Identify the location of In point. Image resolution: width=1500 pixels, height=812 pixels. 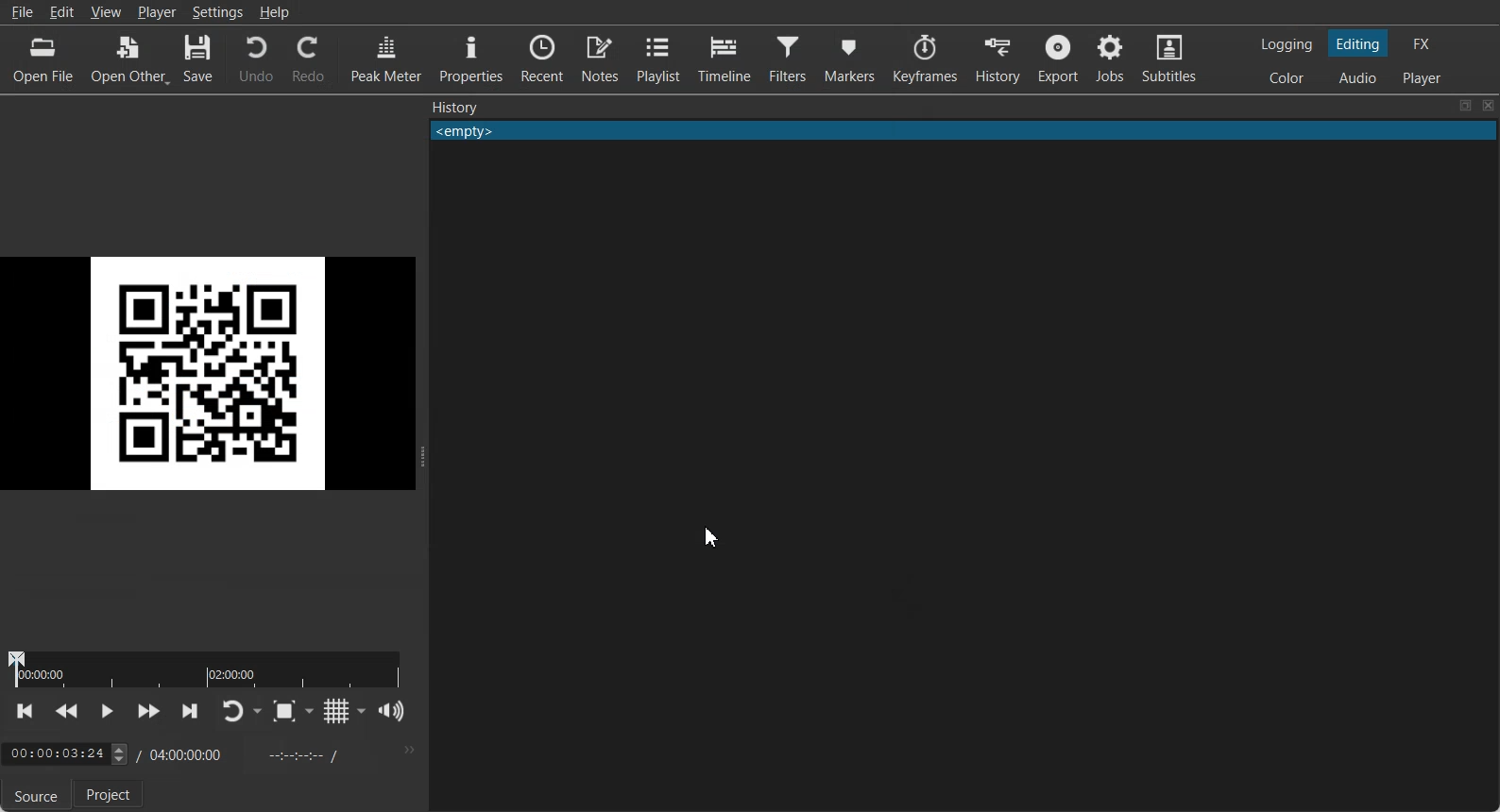
(299, 754).